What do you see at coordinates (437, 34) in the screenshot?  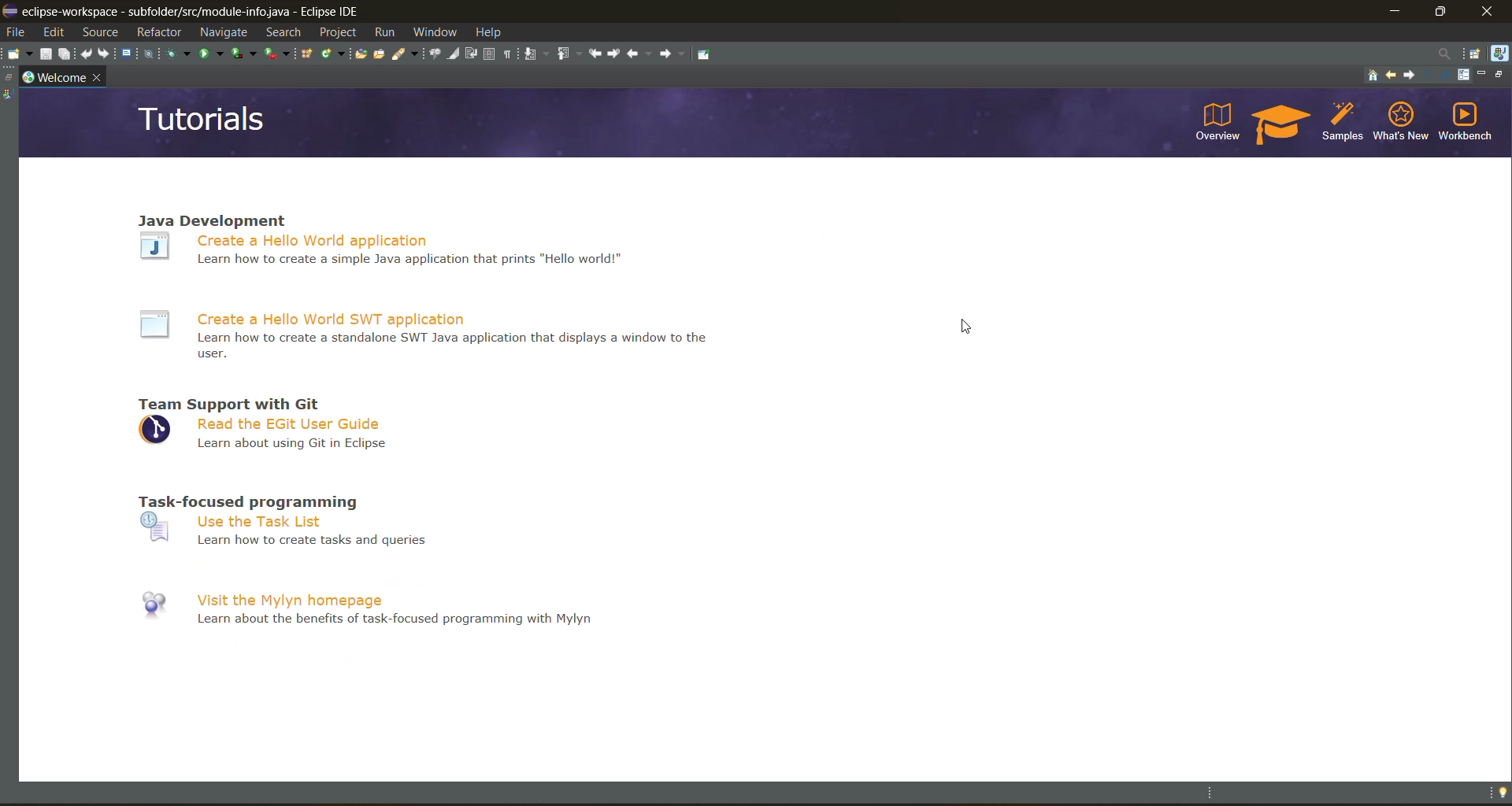 I see `window` at bounding box center [437, 34].